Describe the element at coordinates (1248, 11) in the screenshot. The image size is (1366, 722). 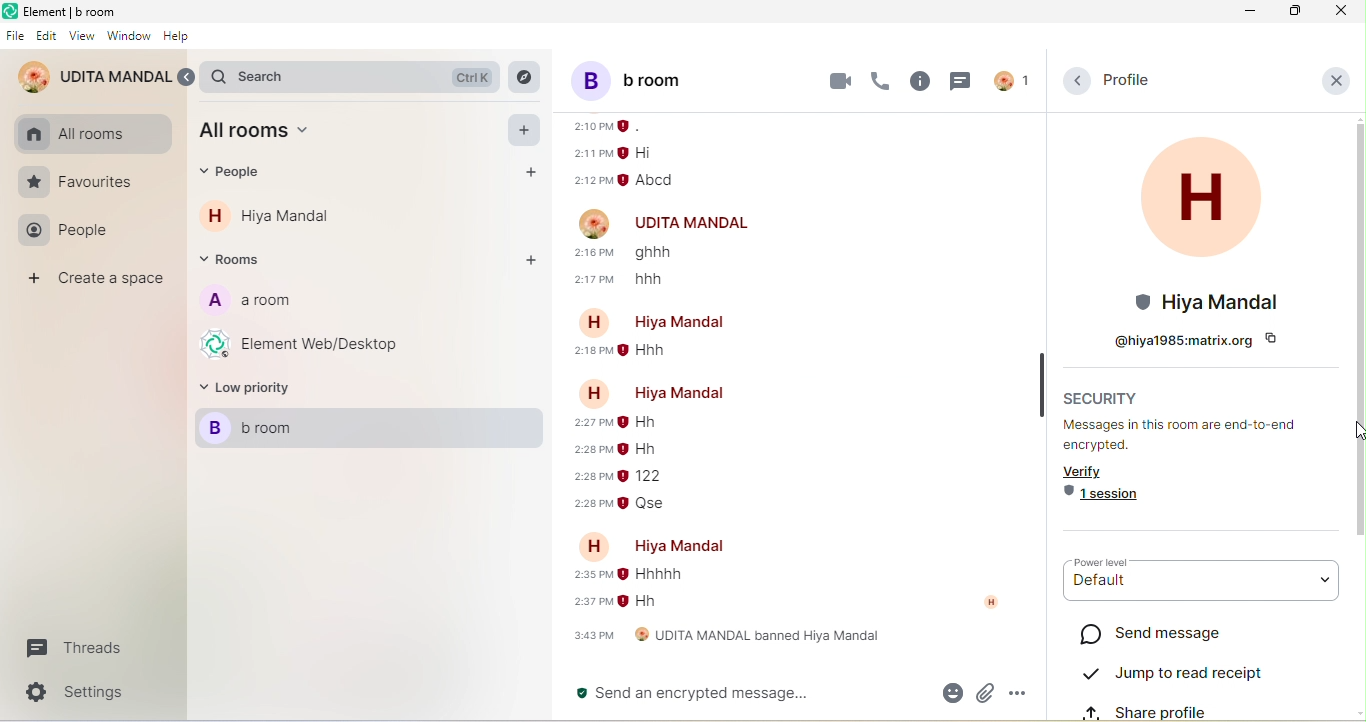
I see `minimize` at that location.